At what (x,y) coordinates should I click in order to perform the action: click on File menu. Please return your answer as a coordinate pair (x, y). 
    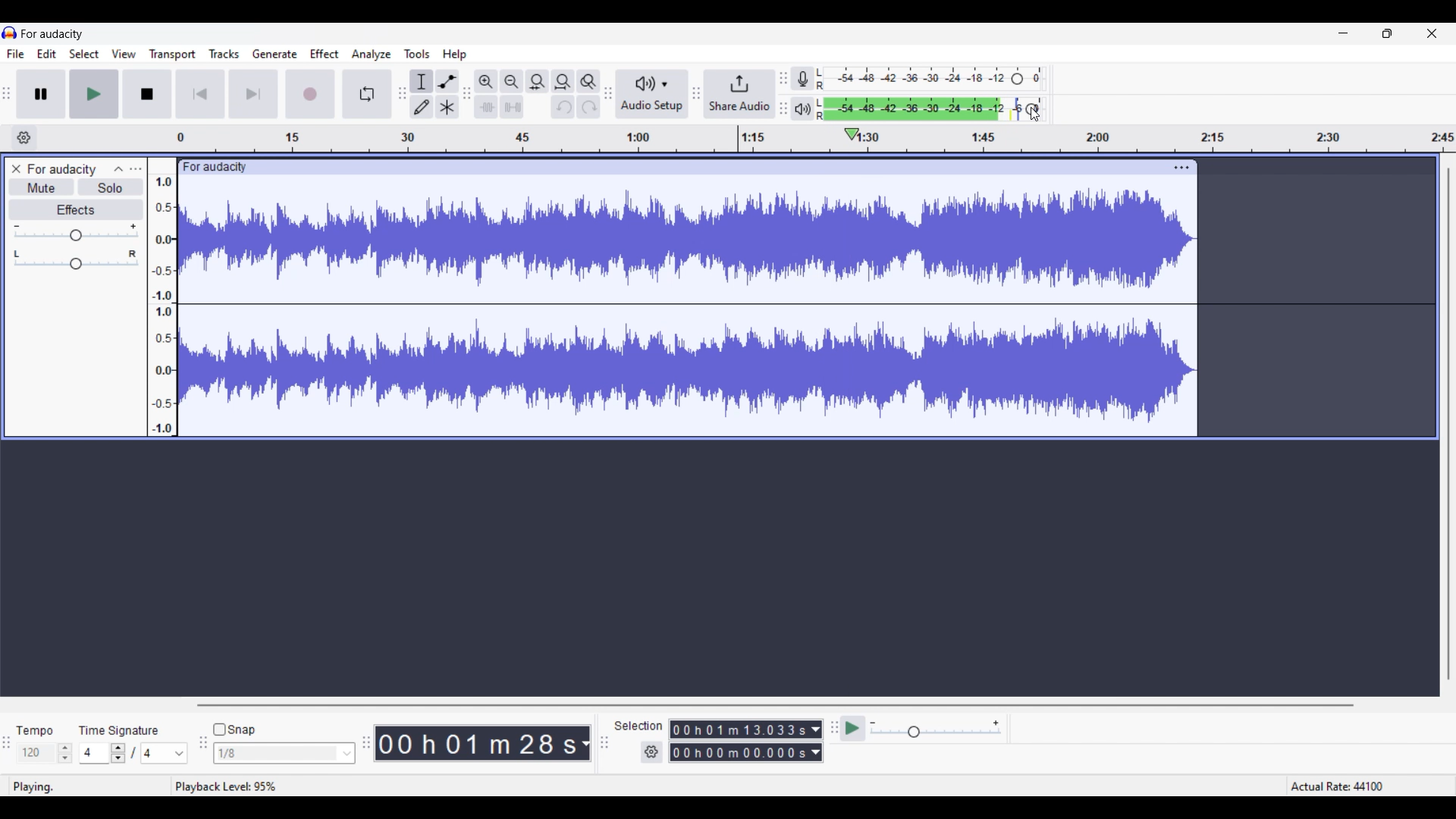
    Looking at the image, I should click on (16, 54).